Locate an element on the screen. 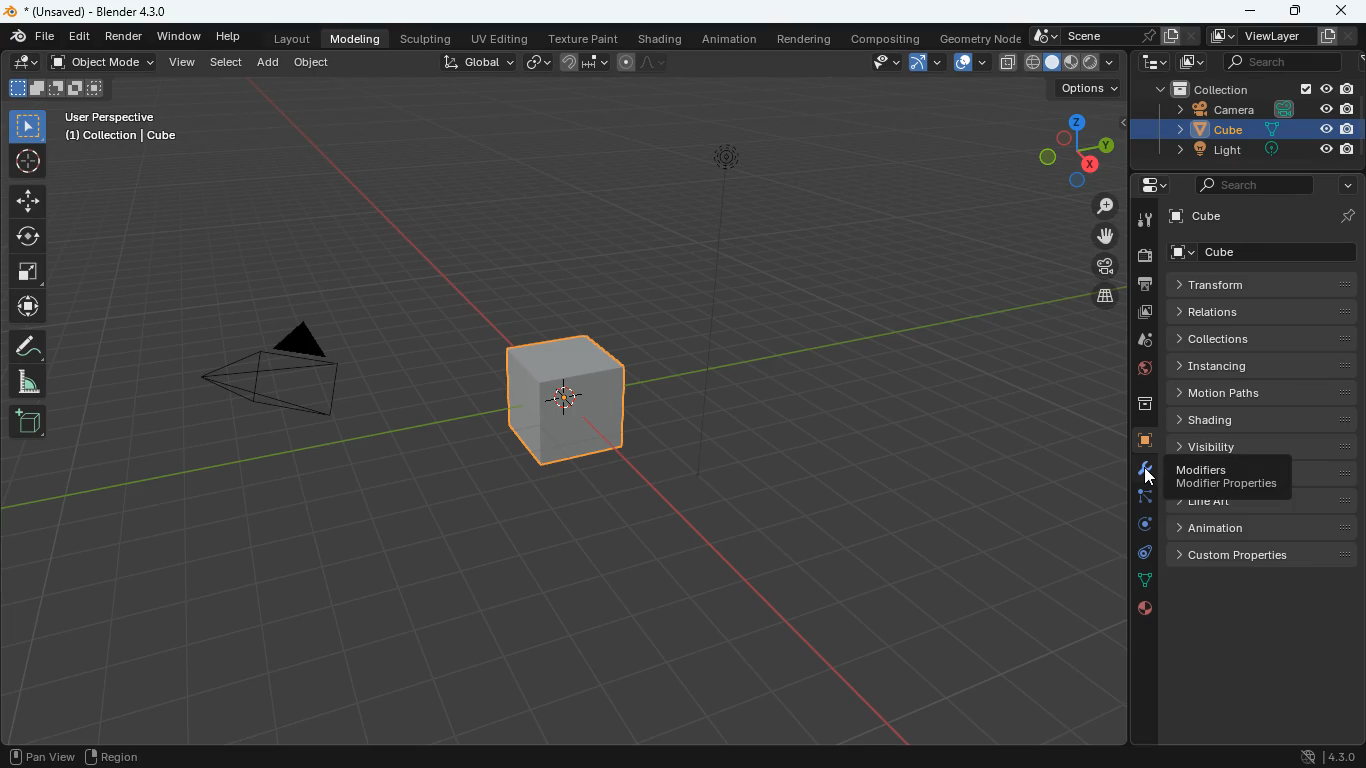 The image size is (1366, 768). image type is located at coordinates (1073, 63).